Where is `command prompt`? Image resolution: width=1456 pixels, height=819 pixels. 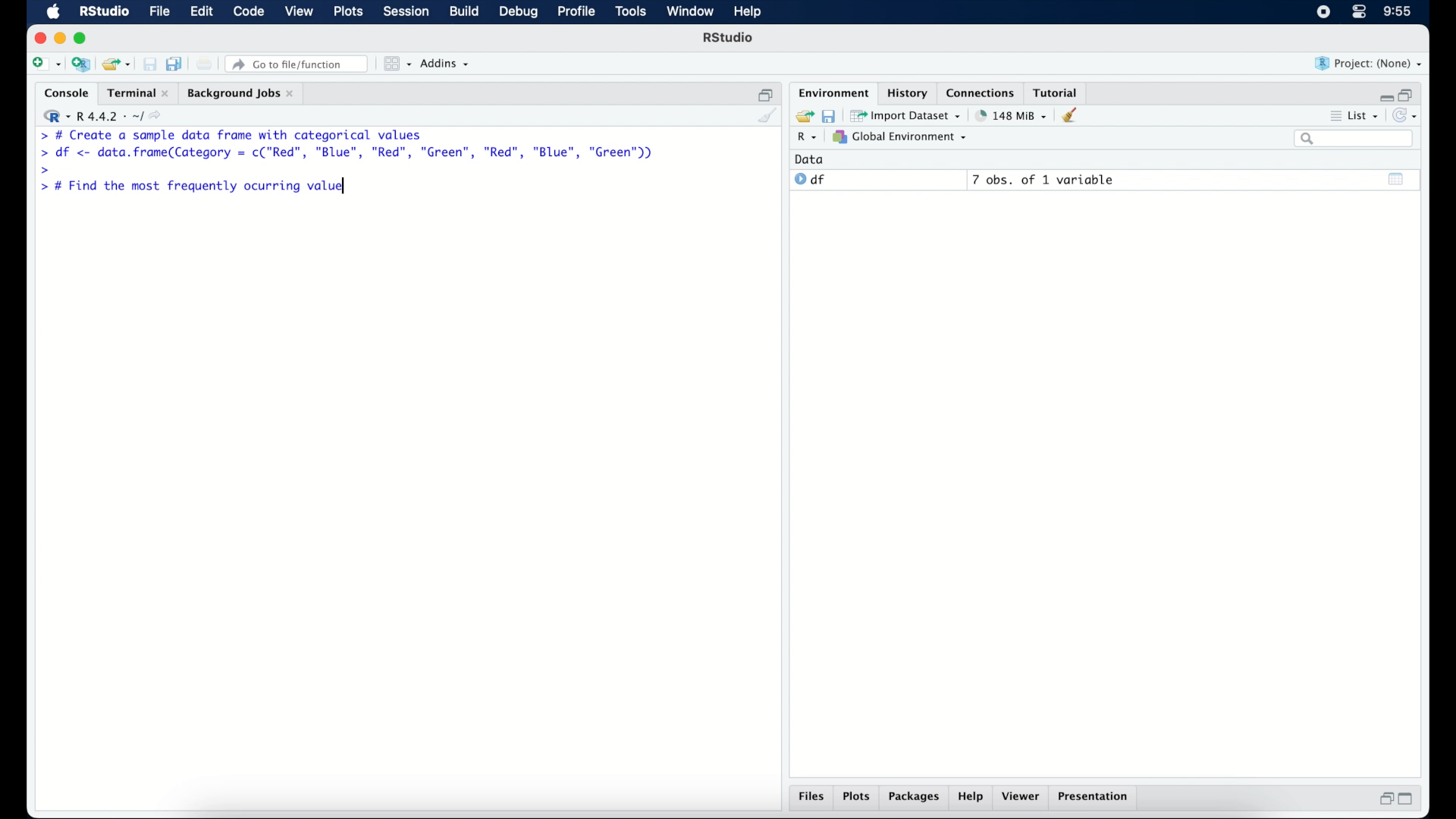 command prompt is located at coordinates (38, 135).